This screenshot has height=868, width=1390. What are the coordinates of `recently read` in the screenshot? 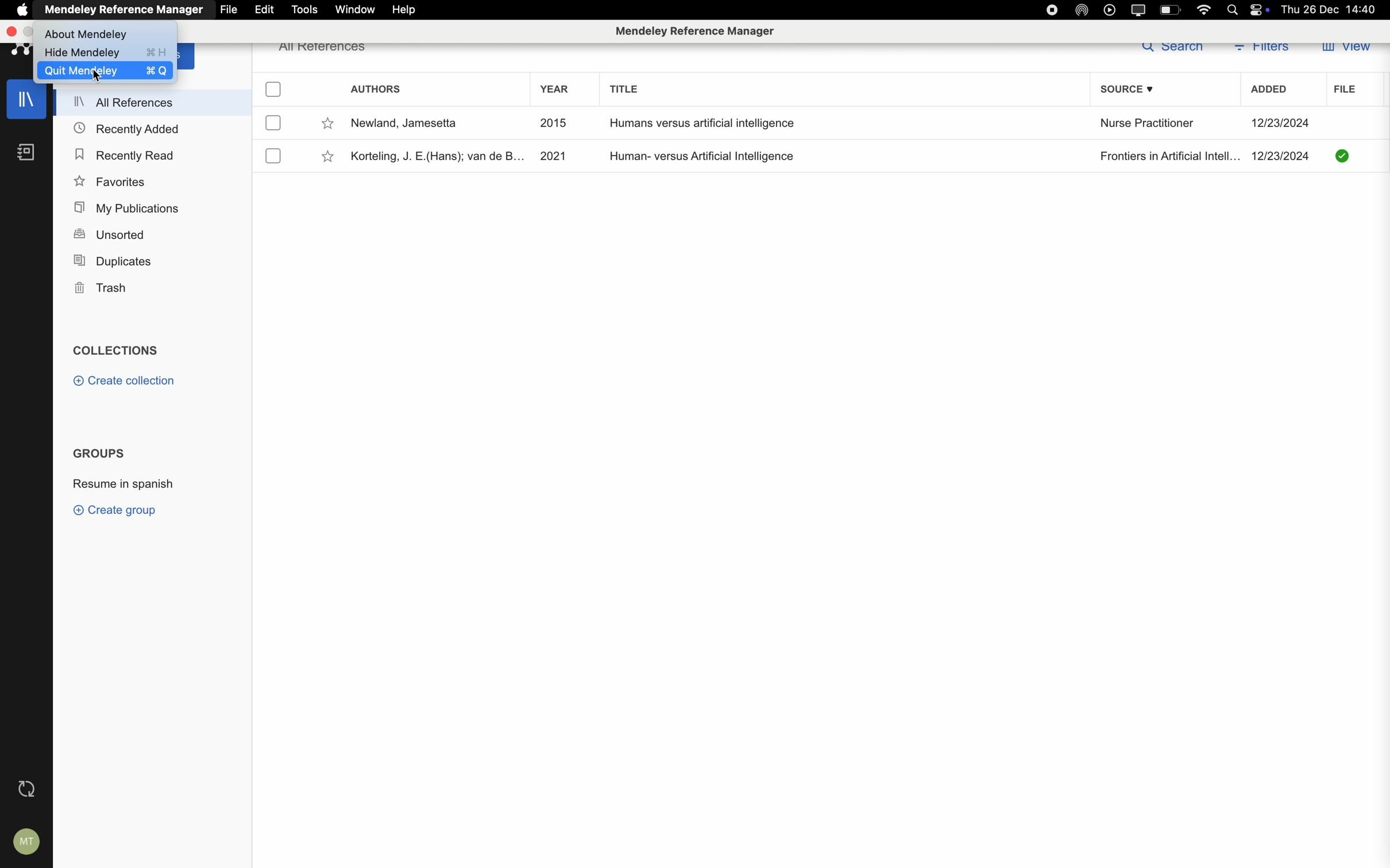 It's located at (123, 153).